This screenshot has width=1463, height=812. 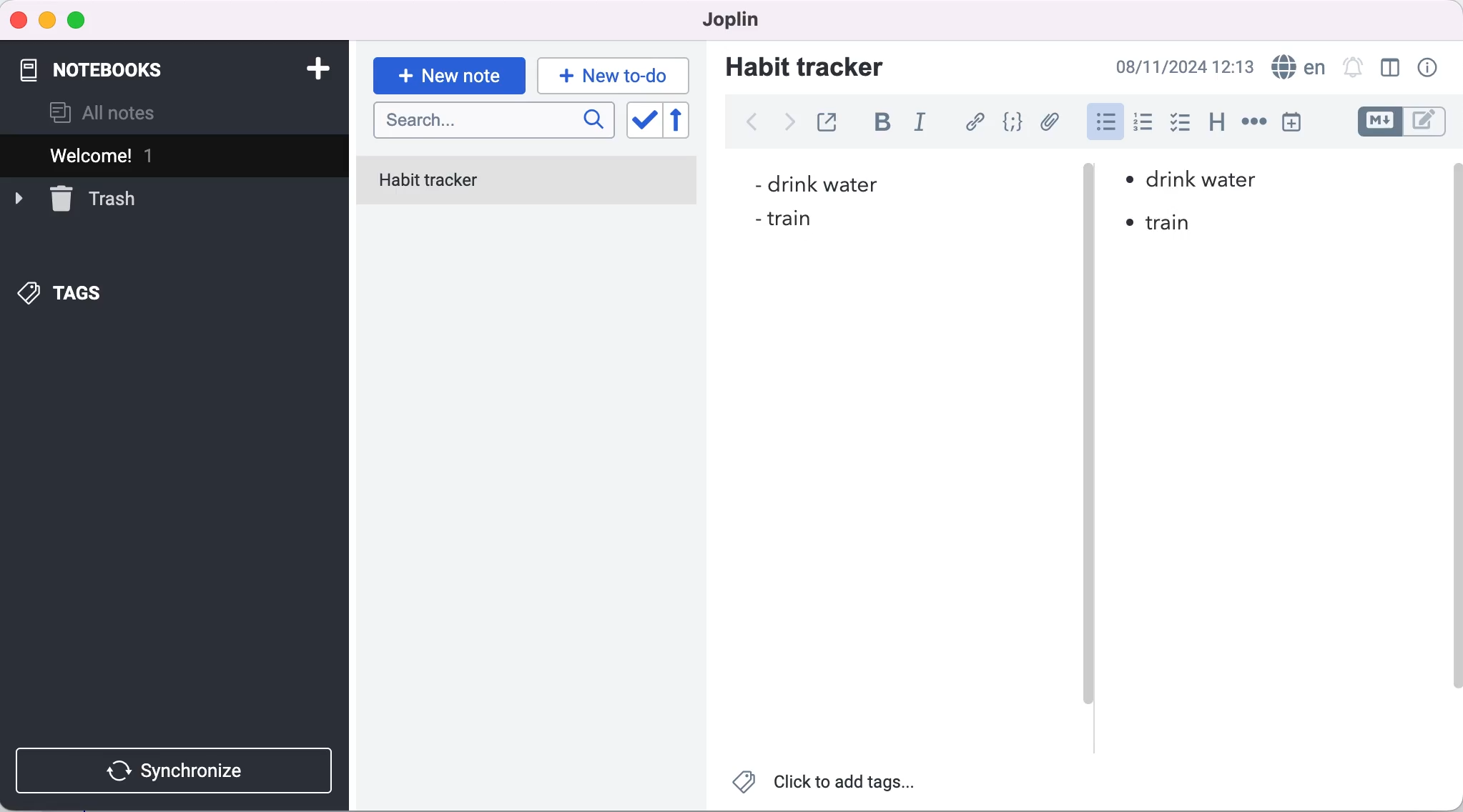 I want to click on back, so click(x=751, y=122).